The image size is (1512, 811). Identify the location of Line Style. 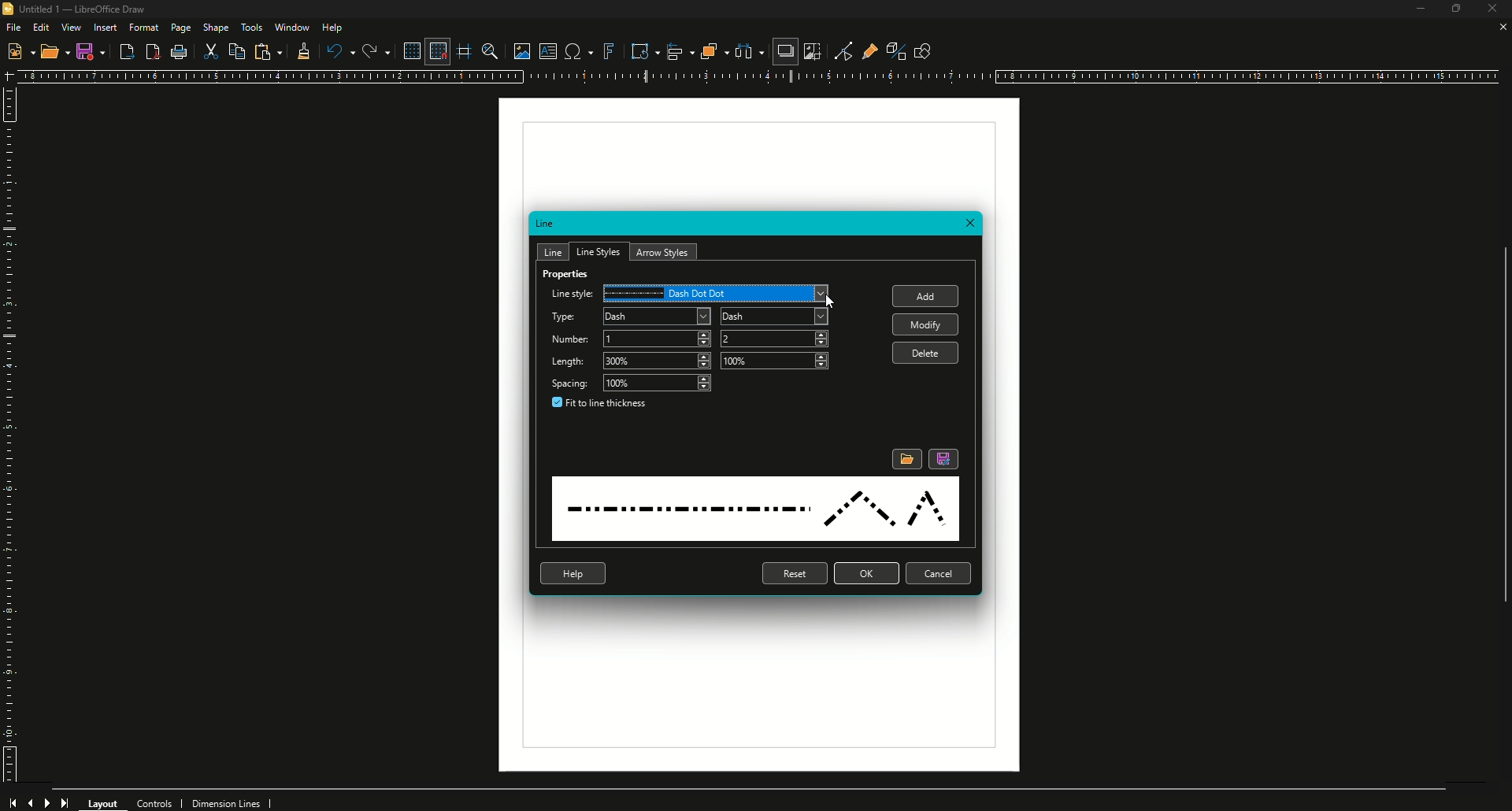
(570, 294).